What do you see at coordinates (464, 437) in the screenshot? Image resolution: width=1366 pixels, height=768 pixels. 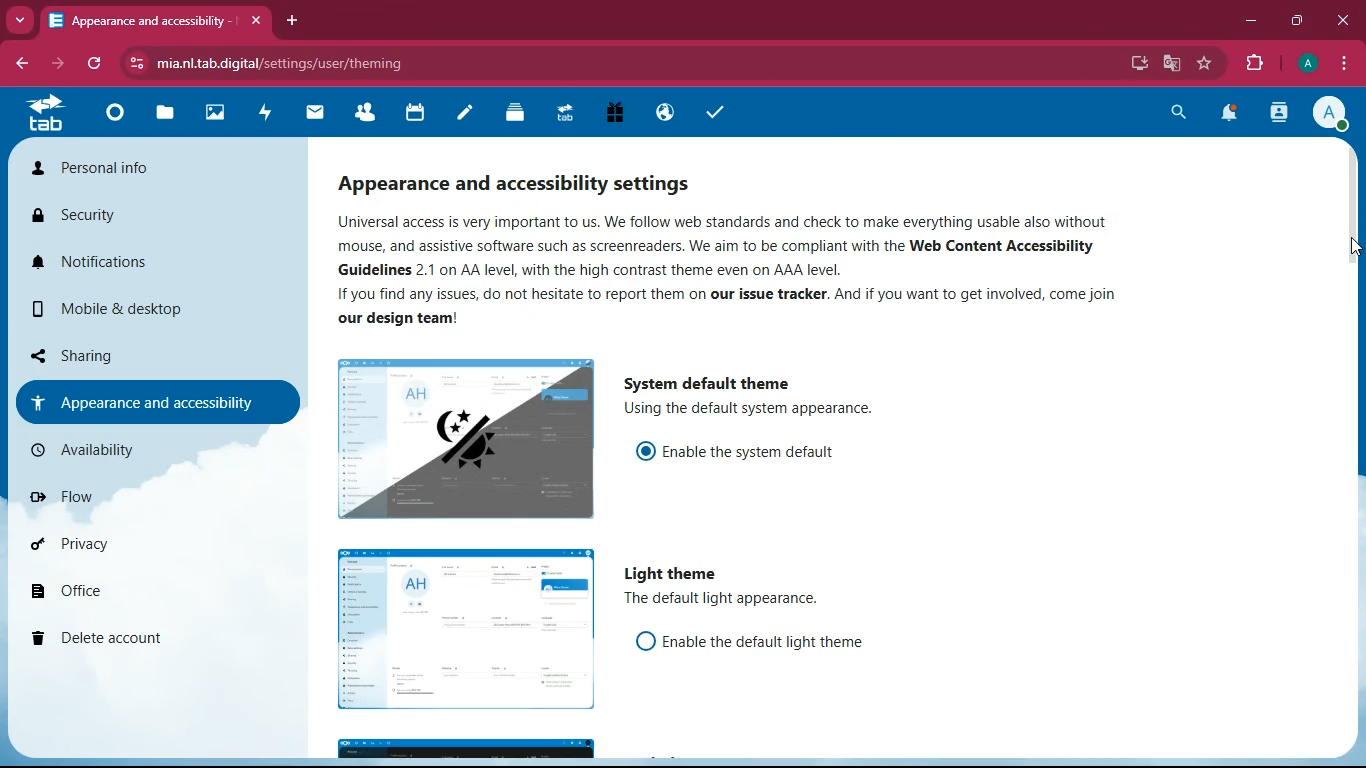 I see `image` at bounding box center [464, 437].